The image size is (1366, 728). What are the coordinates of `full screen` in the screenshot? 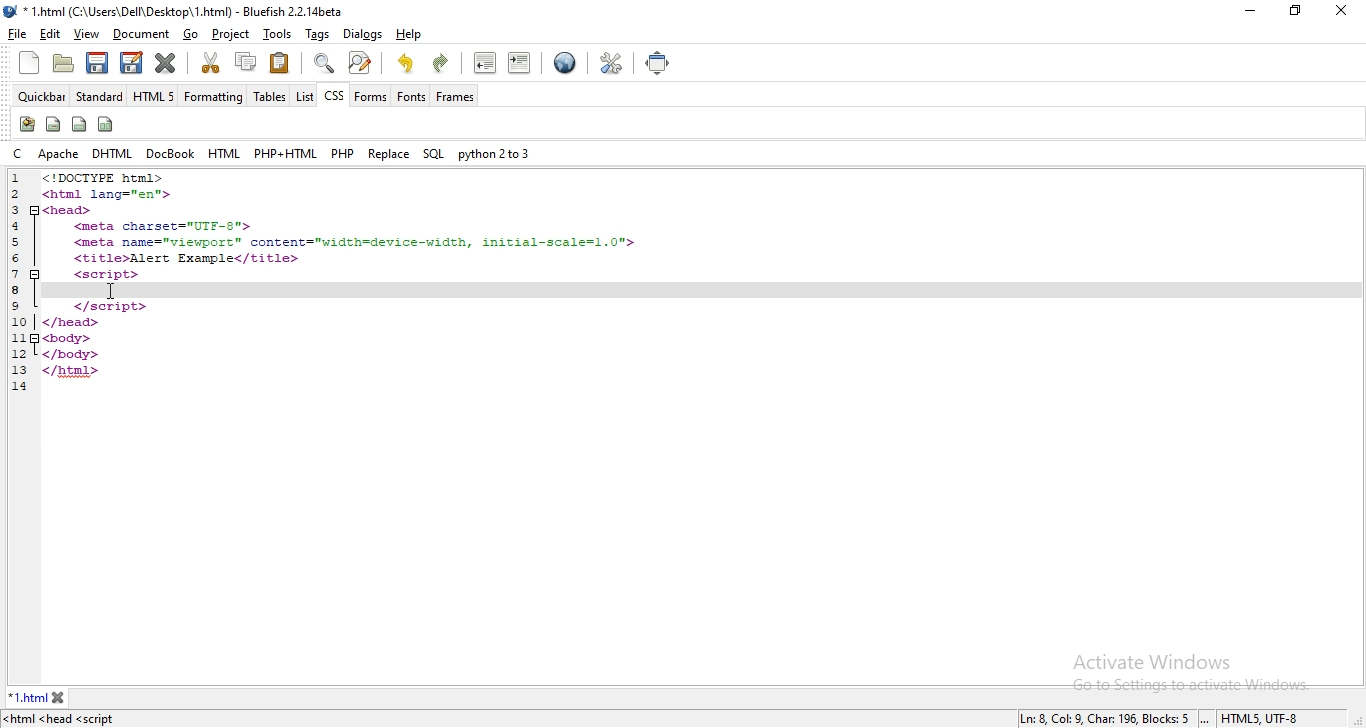 It's located at (663, 64).